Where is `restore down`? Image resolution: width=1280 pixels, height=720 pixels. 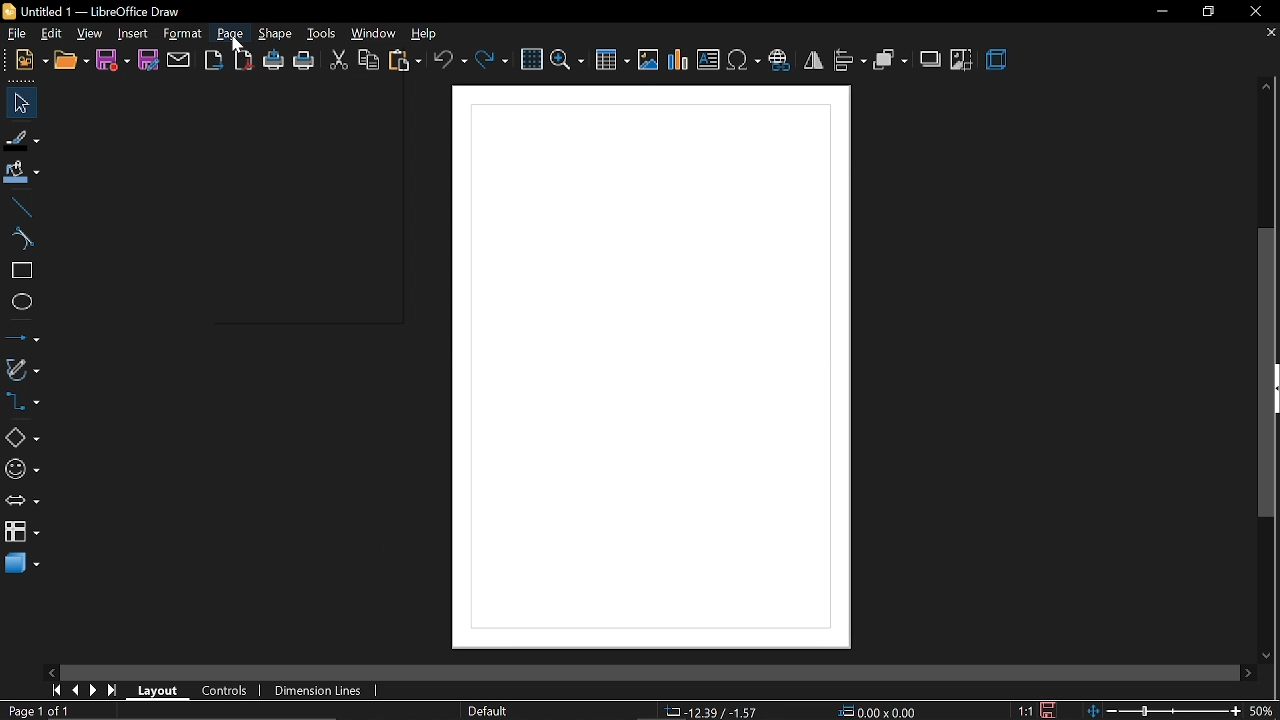 restore down is located at coordinates (1204, 12).